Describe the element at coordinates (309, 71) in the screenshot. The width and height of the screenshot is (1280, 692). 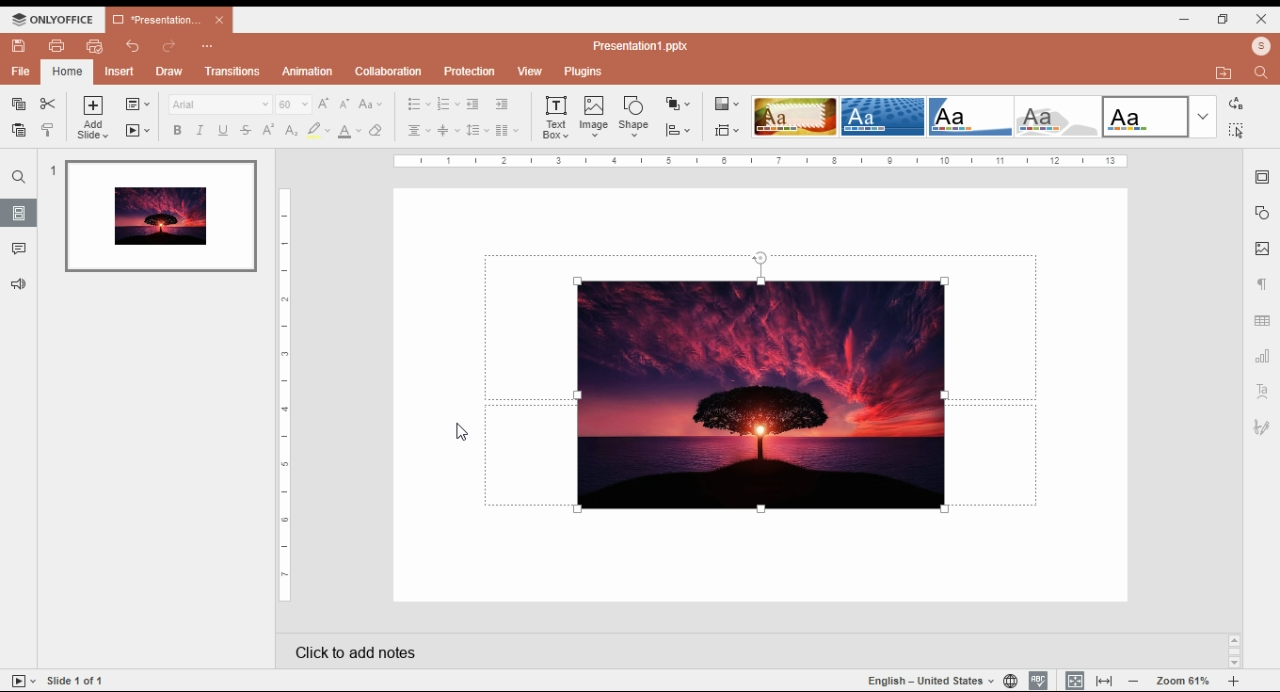
I see `animation` at that location.